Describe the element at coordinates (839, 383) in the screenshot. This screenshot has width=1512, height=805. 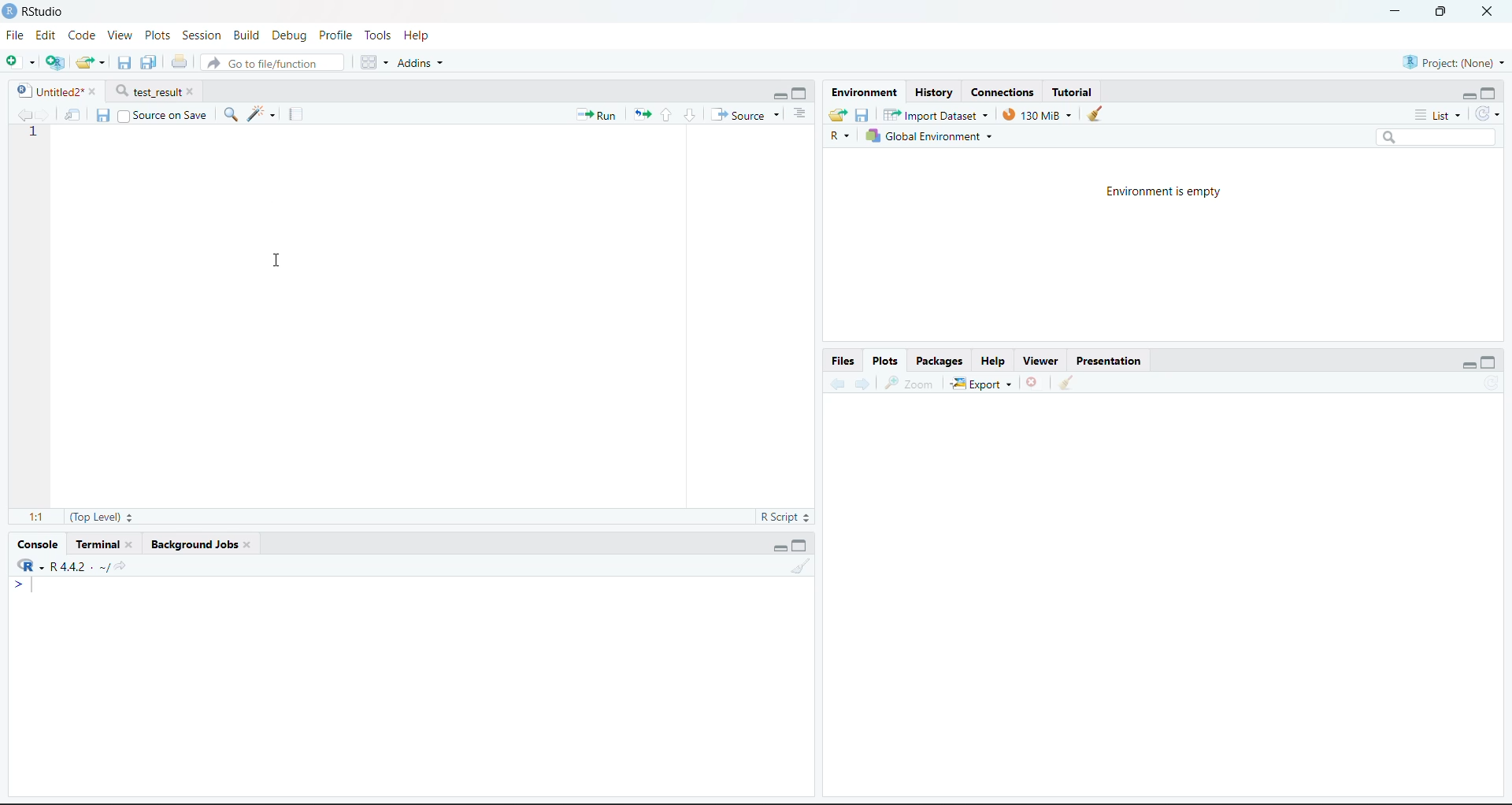
I see `Go back to the previous source location (Ctrl + F9)` at that location.